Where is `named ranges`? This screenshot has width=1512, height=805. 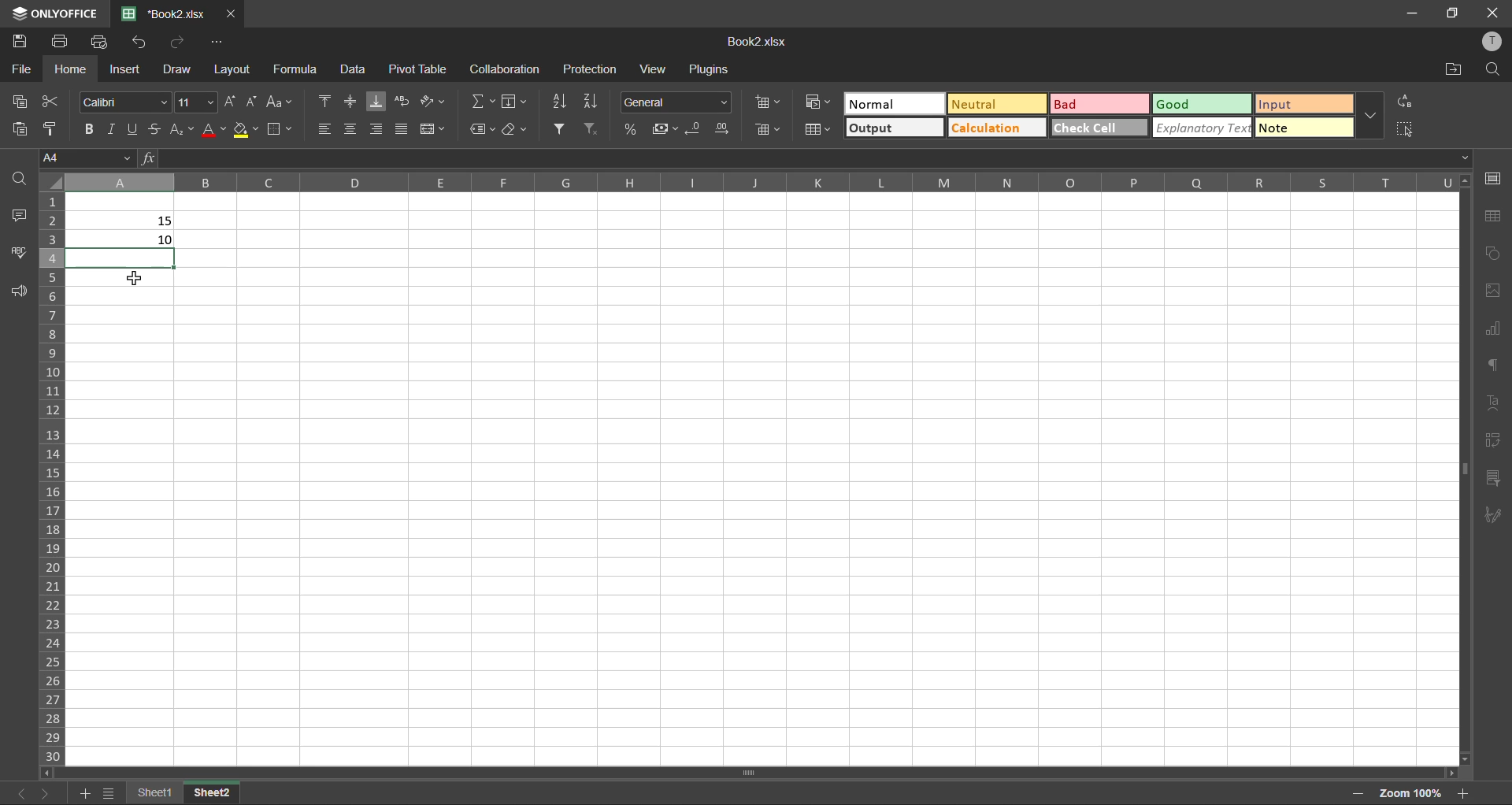
named ranges is located at coordinates (484, 129).